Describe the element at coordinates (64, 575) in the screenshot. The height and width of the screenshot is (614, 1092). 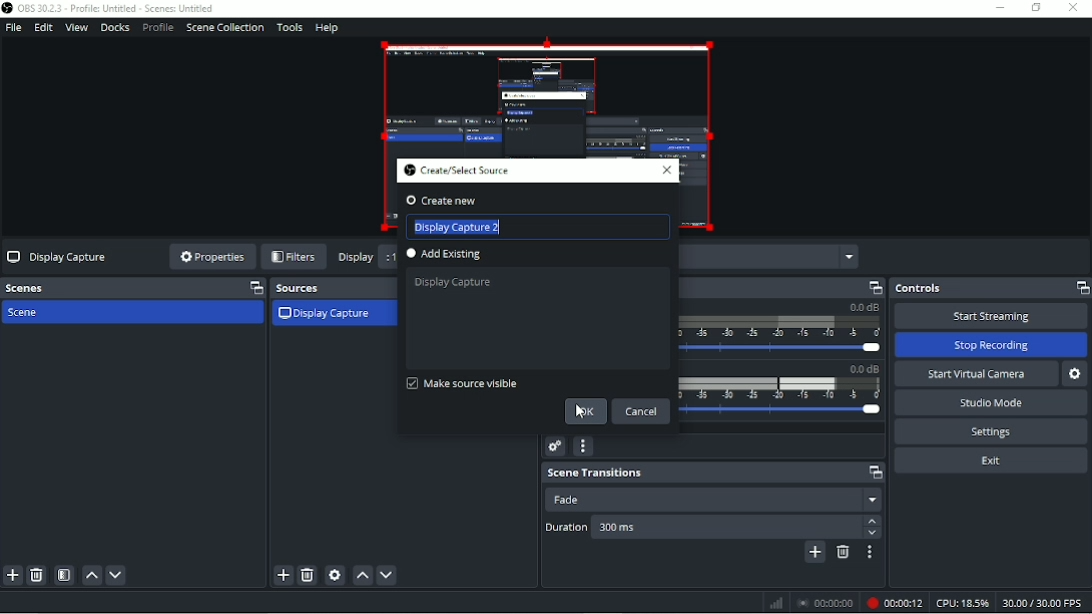
I see `Open scene filters` at that location.